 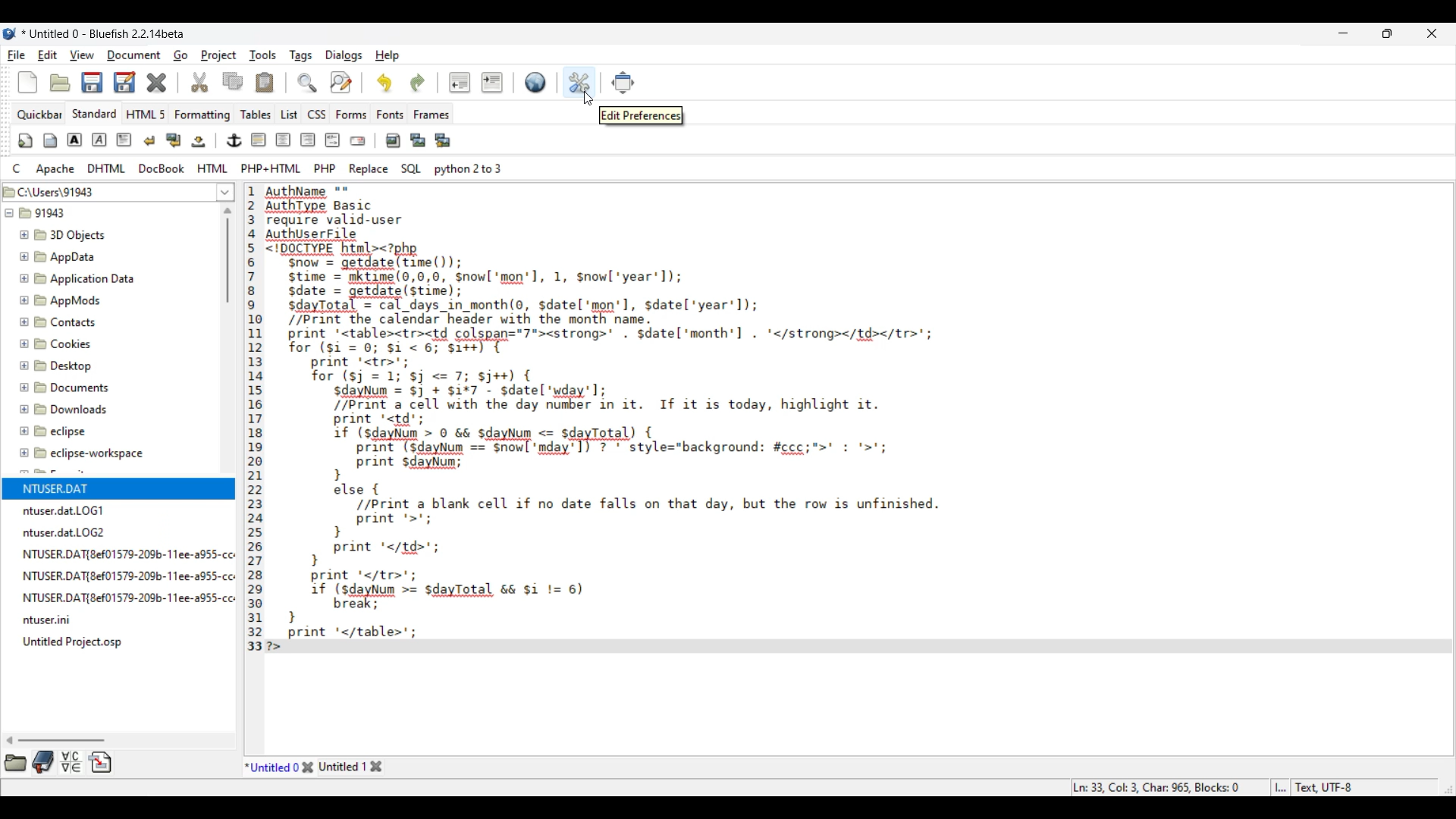 I want to click on File menu, so click(x=17, y=55).